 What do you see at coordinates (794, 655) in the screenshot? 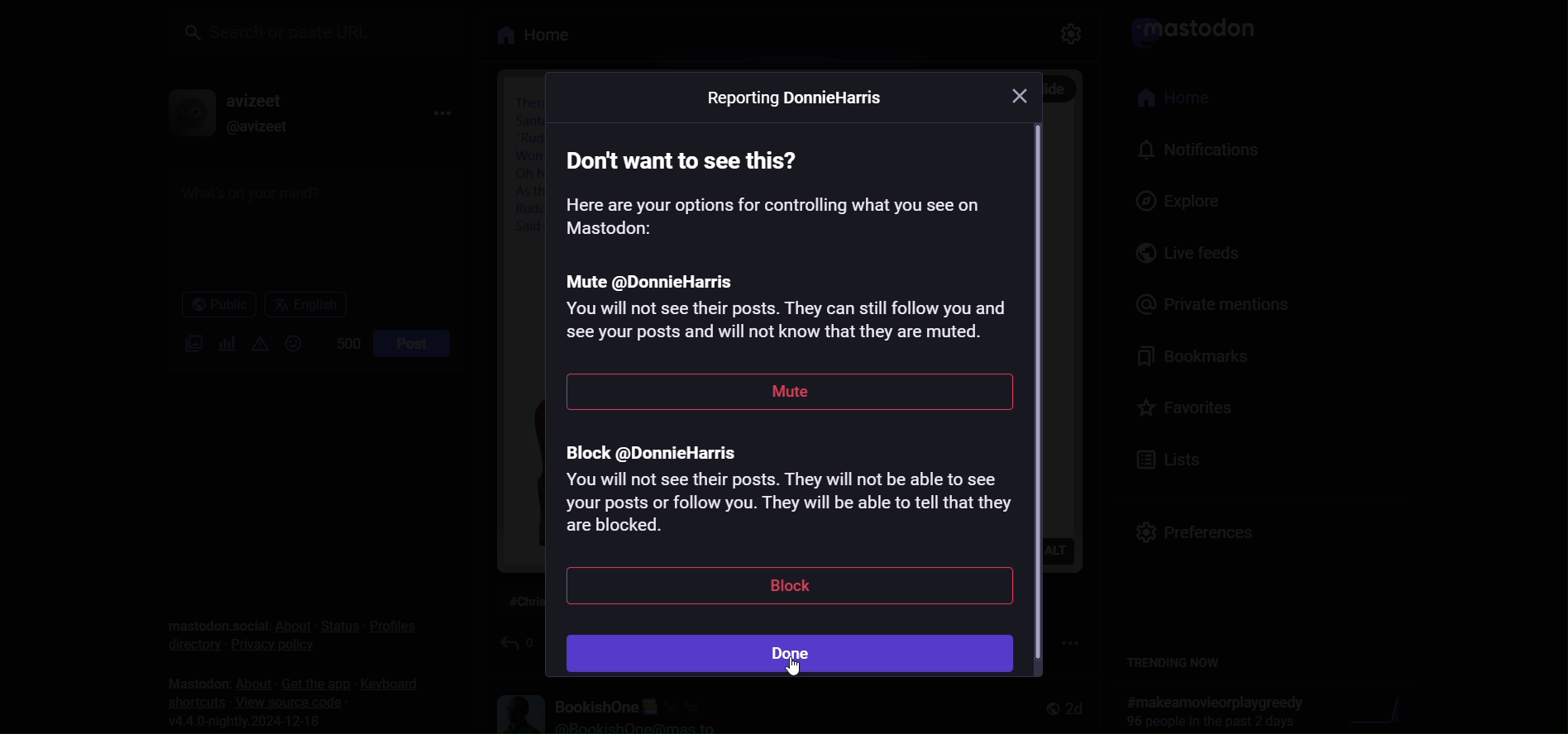
I see `done` at bounding box center [794, 655].